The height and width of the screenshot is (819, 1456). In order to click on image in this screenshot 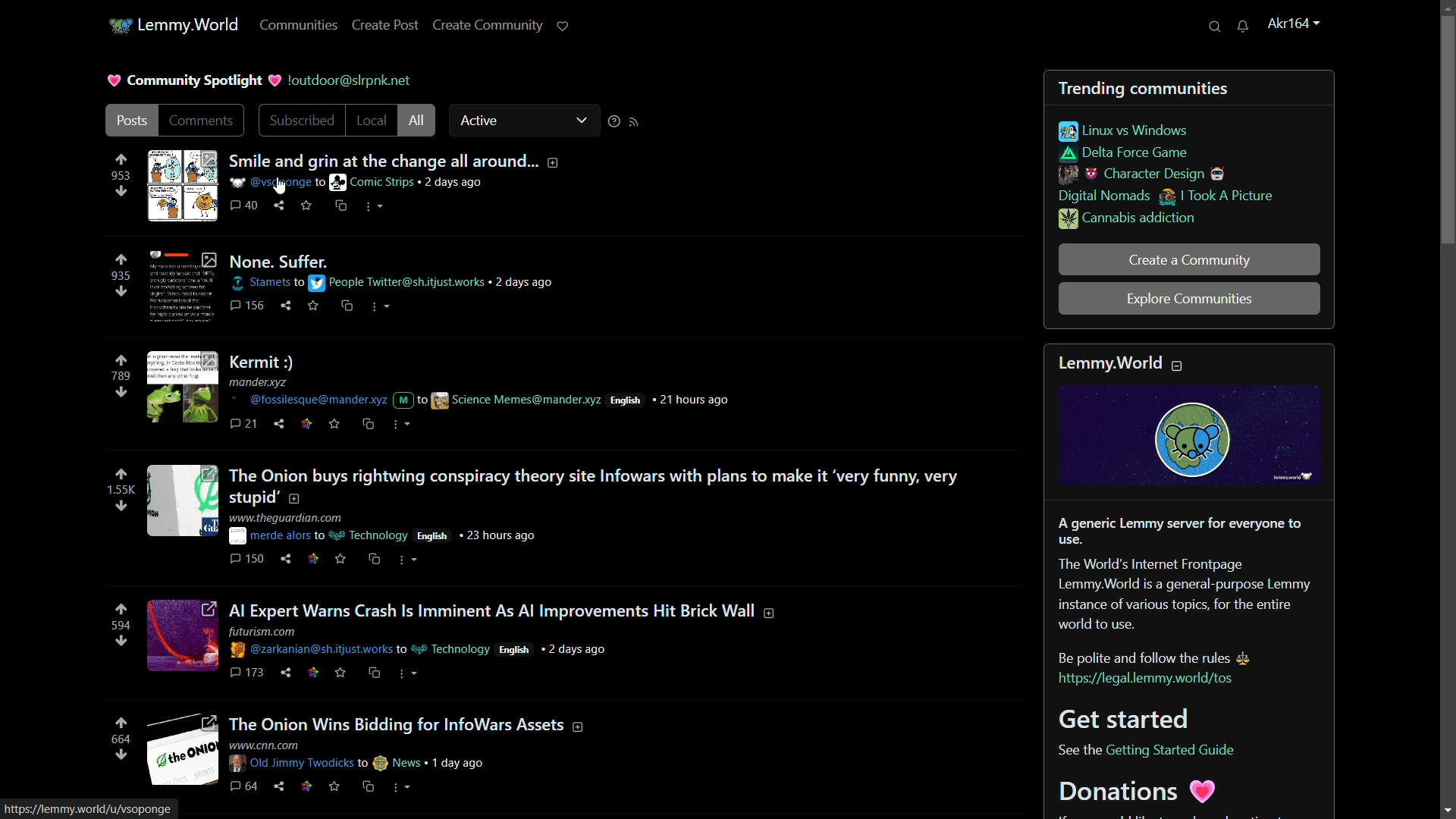, I will do `click(180, 386)`.